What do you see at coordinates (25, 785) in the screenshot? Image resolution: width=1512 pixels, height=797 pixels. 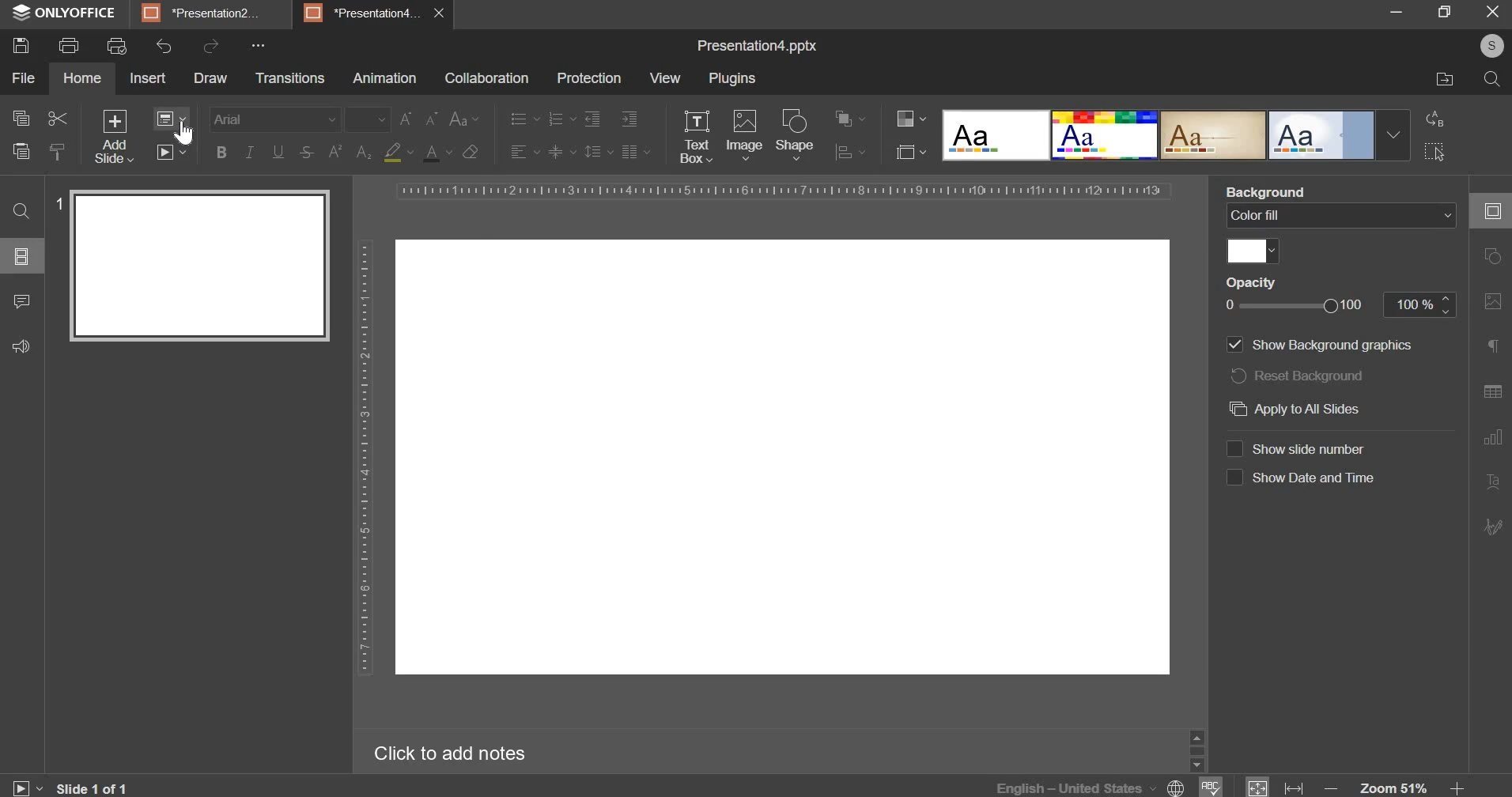 I see `slide show` at bounding box center [25, 785].